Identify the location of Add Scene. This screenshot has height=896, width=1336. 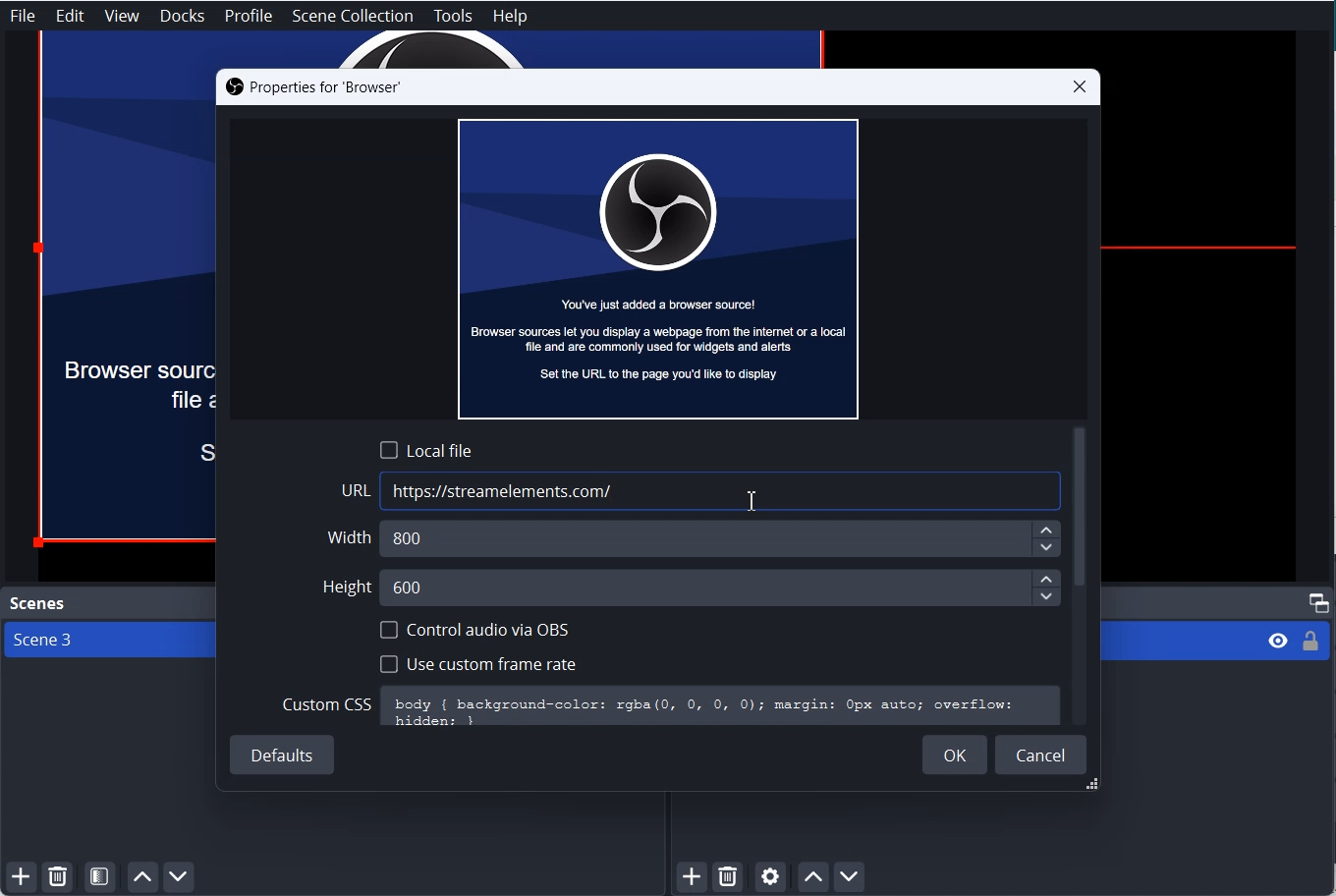
(18, 878).